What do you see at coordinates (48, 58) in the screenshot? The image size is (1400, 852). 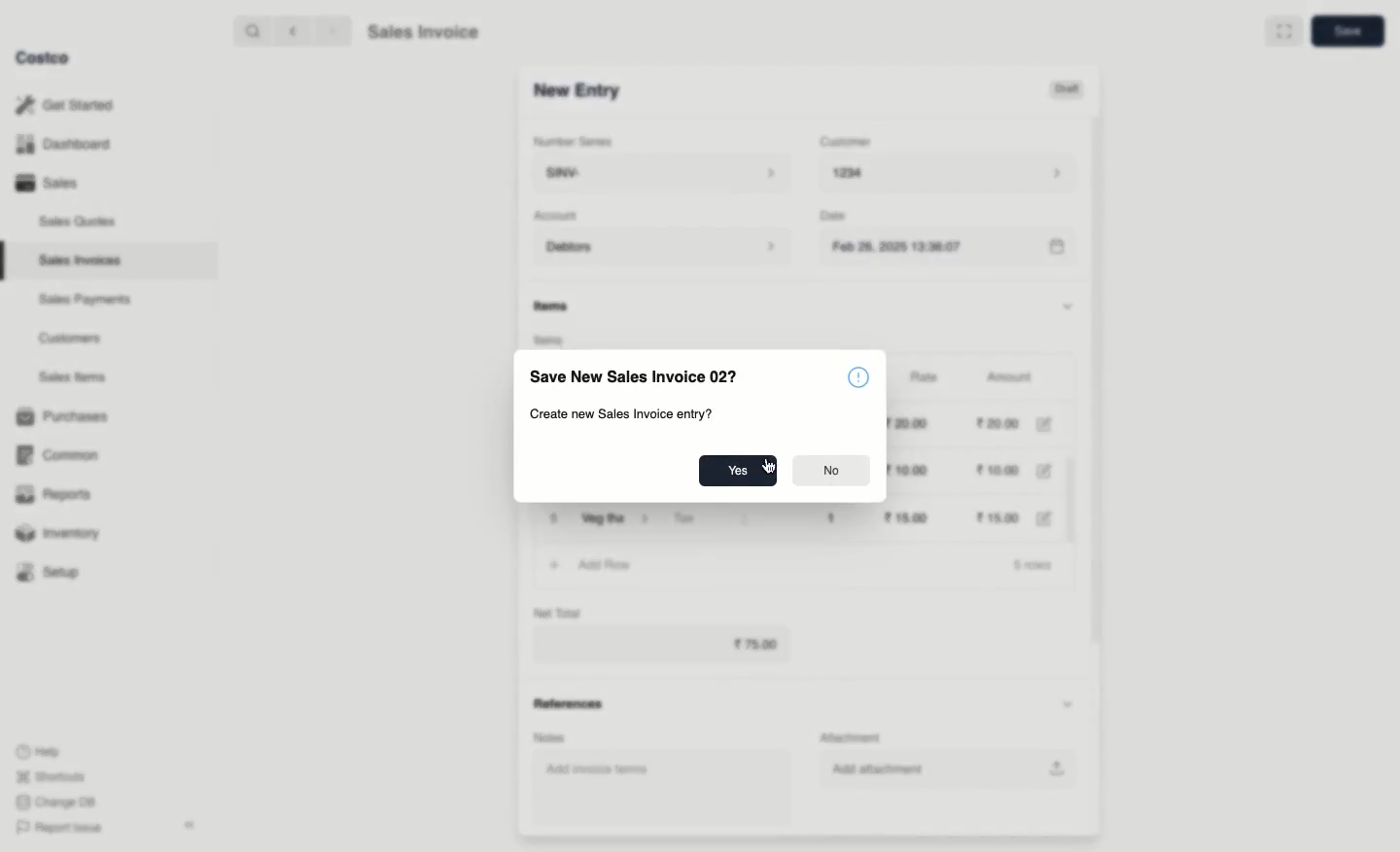 I see `Costco` at bounding box center [48, 58].